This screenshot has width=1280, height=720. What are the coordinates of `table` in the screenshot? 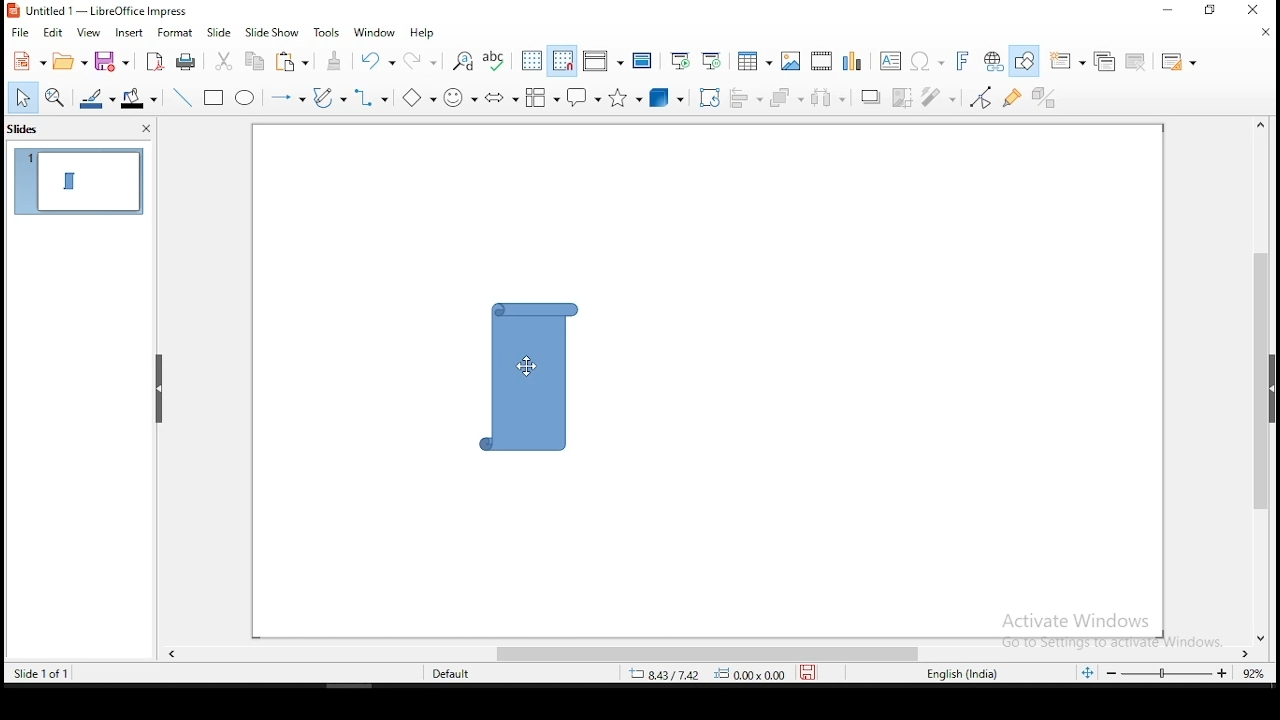 It's located at (754, 60).